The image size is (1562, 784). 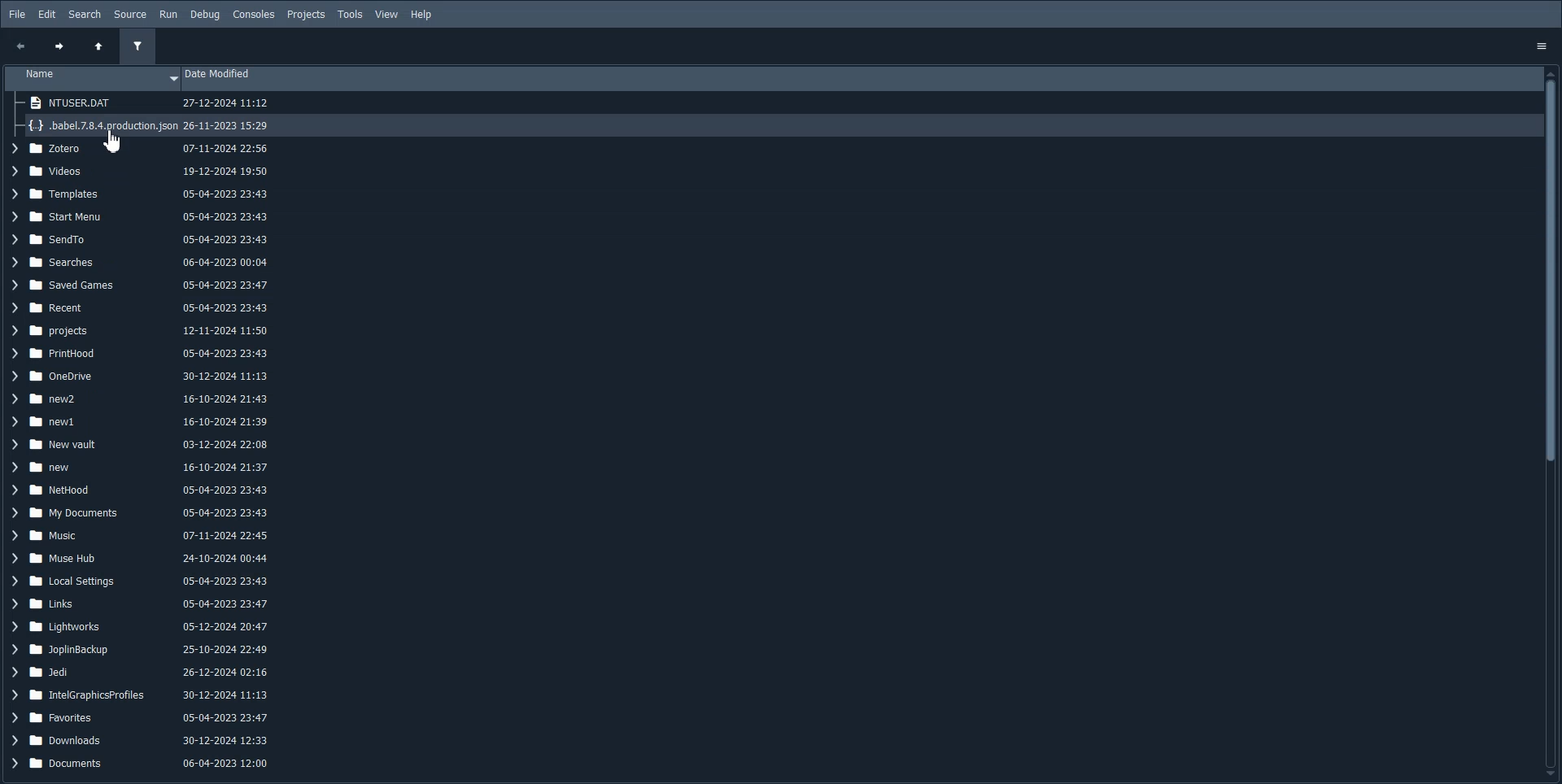 I want to click on Consoles, so click(x=254, y=15).